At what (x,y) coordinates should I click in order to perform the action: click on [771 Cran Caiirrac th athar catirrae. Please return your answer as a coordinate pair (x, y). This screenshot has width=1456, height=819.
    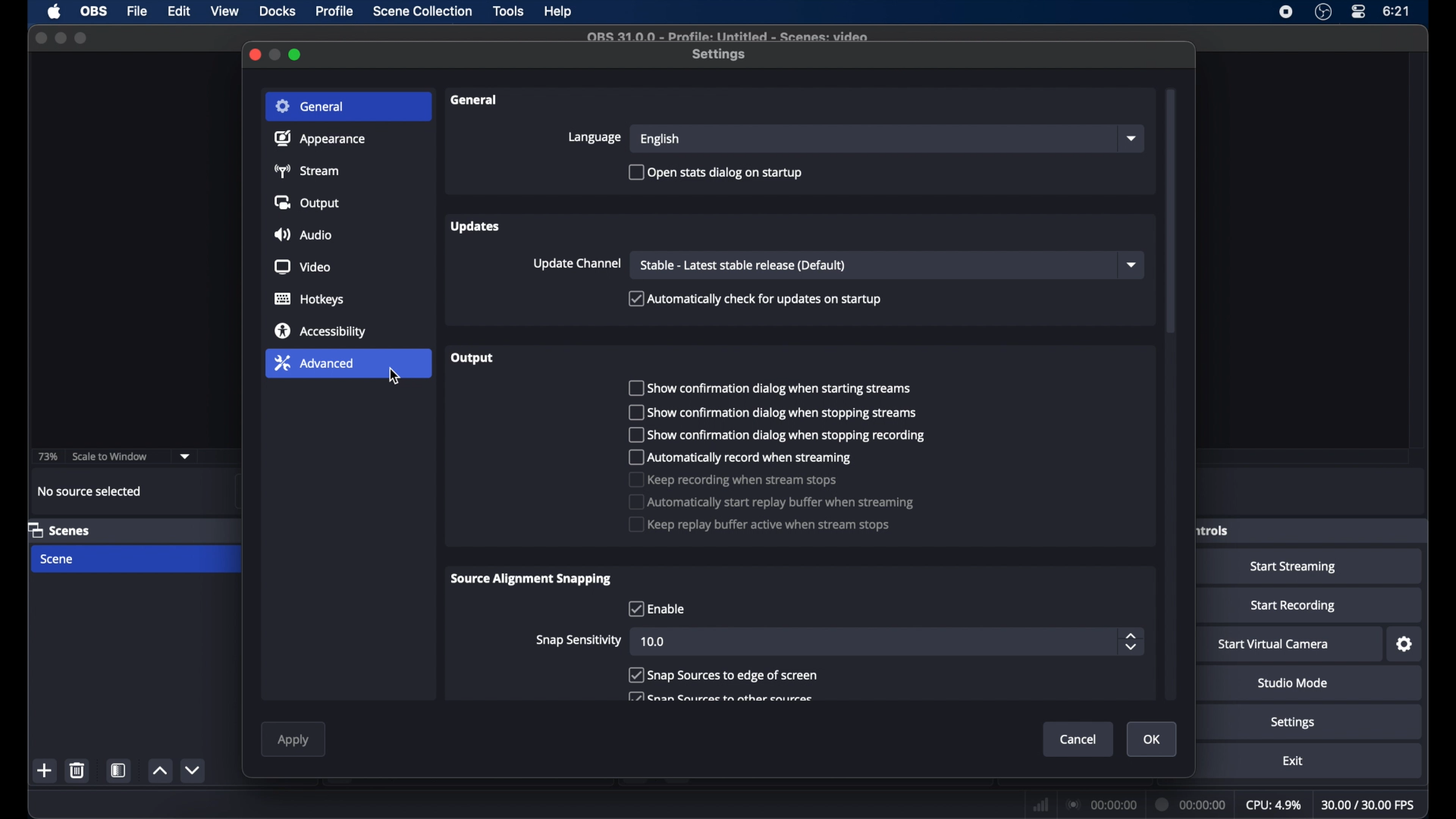
    Looking at the image, I should click on (720, 697).